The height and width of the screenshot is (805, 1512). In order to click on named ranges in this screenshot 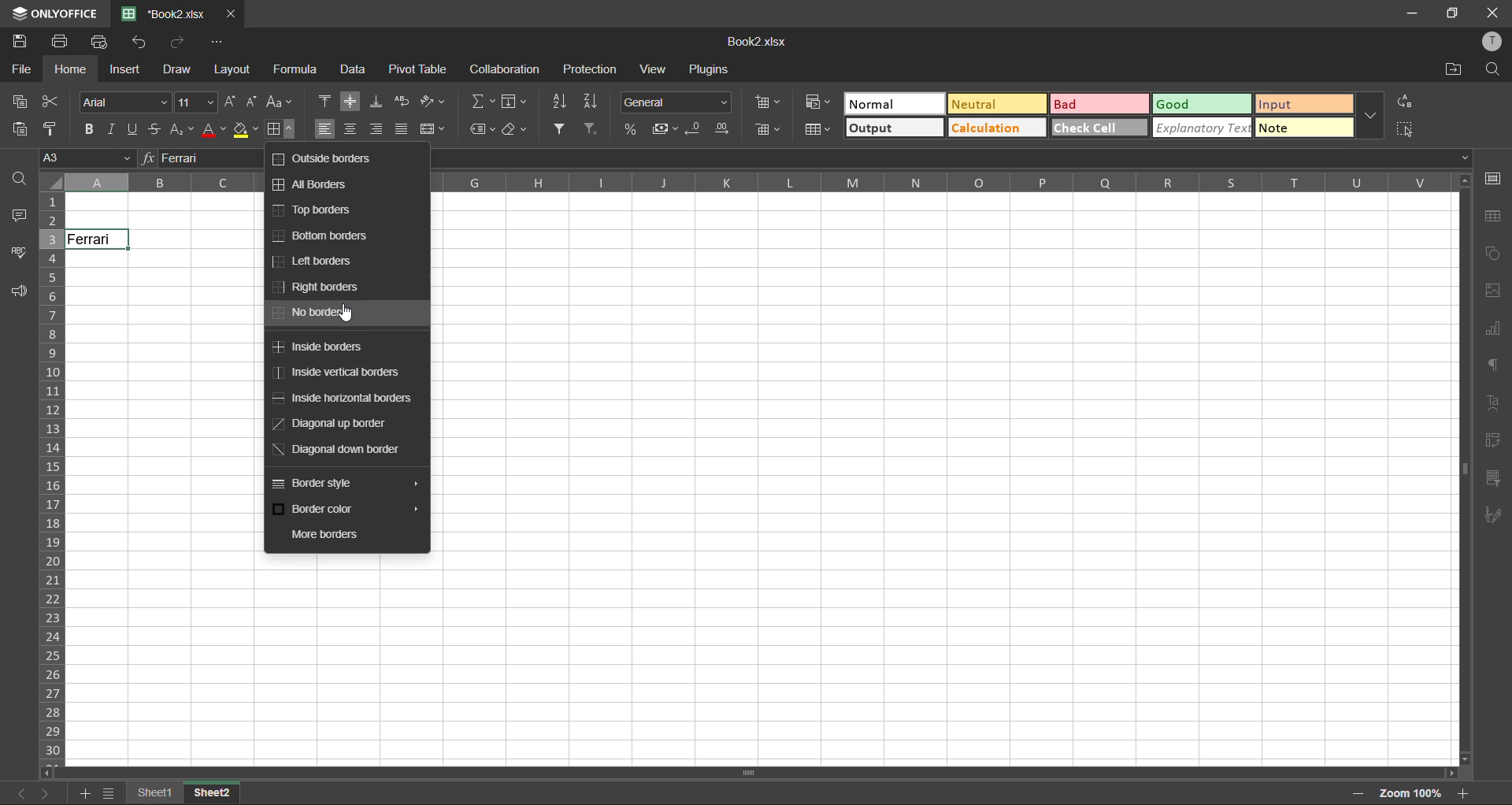, I will do `click(483, 131)`.